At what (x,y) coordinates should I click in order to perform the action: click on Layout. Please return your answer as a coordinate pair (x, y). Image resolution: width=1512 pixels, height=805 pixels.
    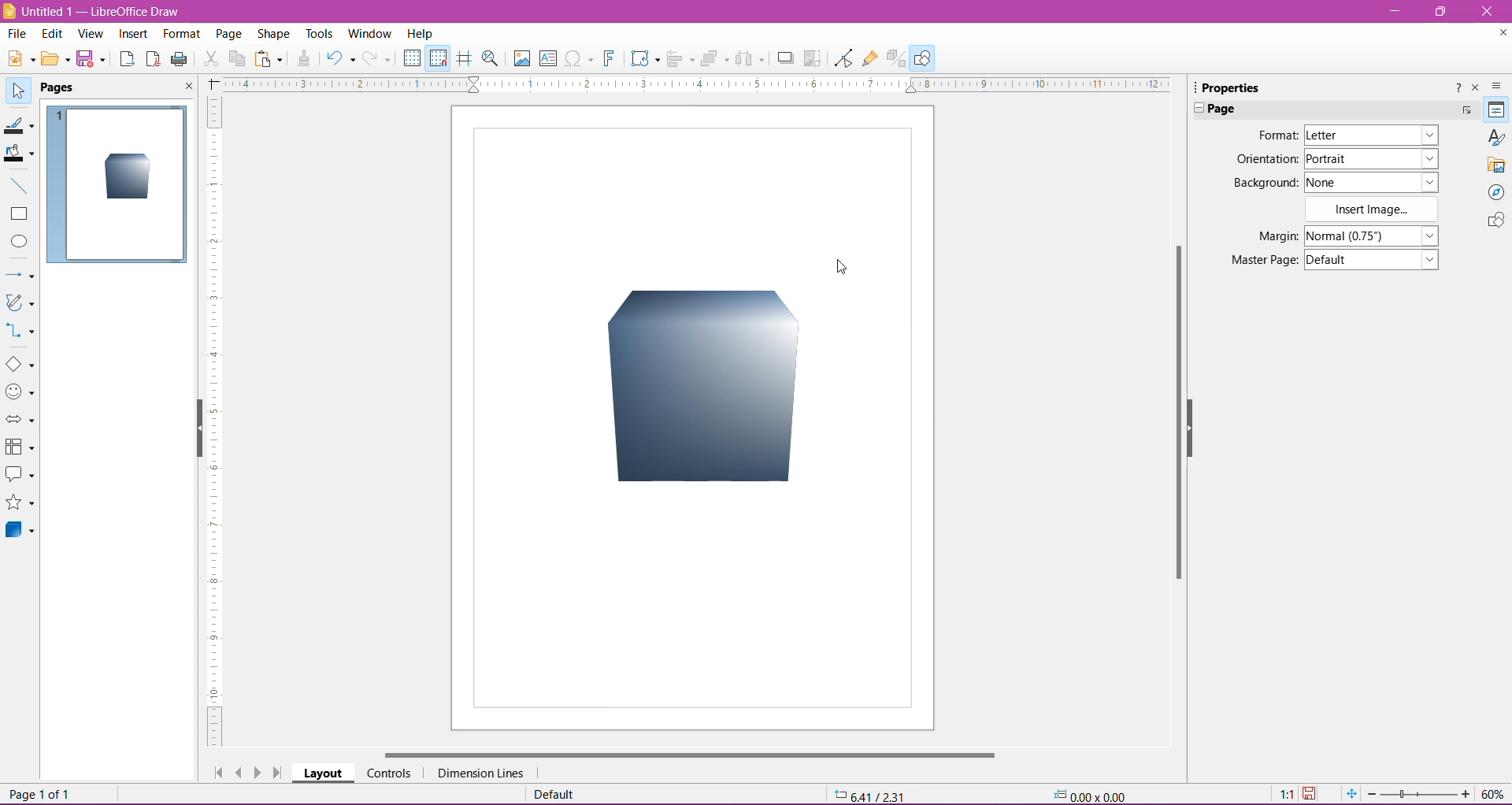
    Looking at the image, I should click on (323, 773).